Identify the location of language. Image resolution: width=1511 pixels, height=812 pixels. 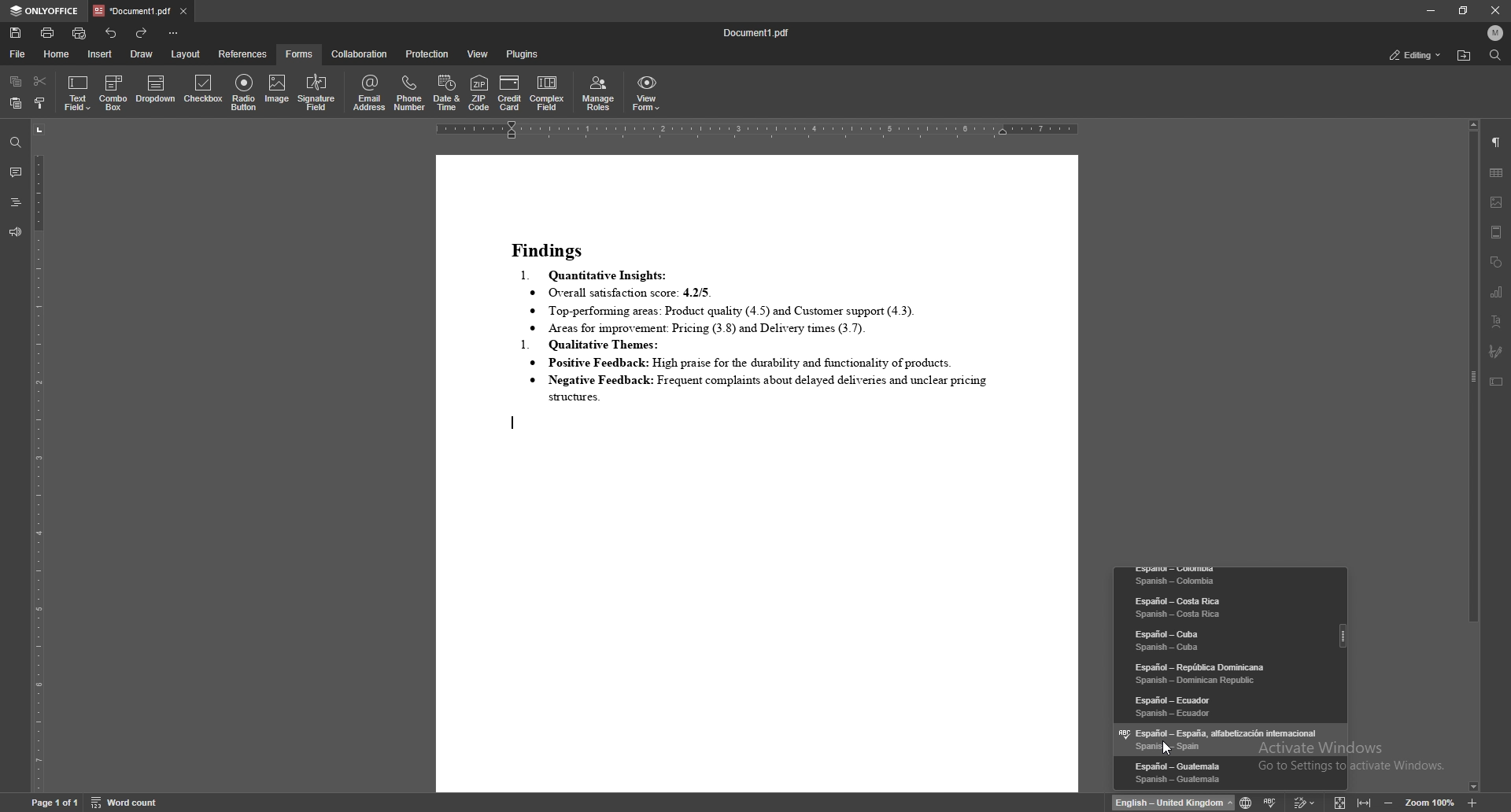
(1223, 578).